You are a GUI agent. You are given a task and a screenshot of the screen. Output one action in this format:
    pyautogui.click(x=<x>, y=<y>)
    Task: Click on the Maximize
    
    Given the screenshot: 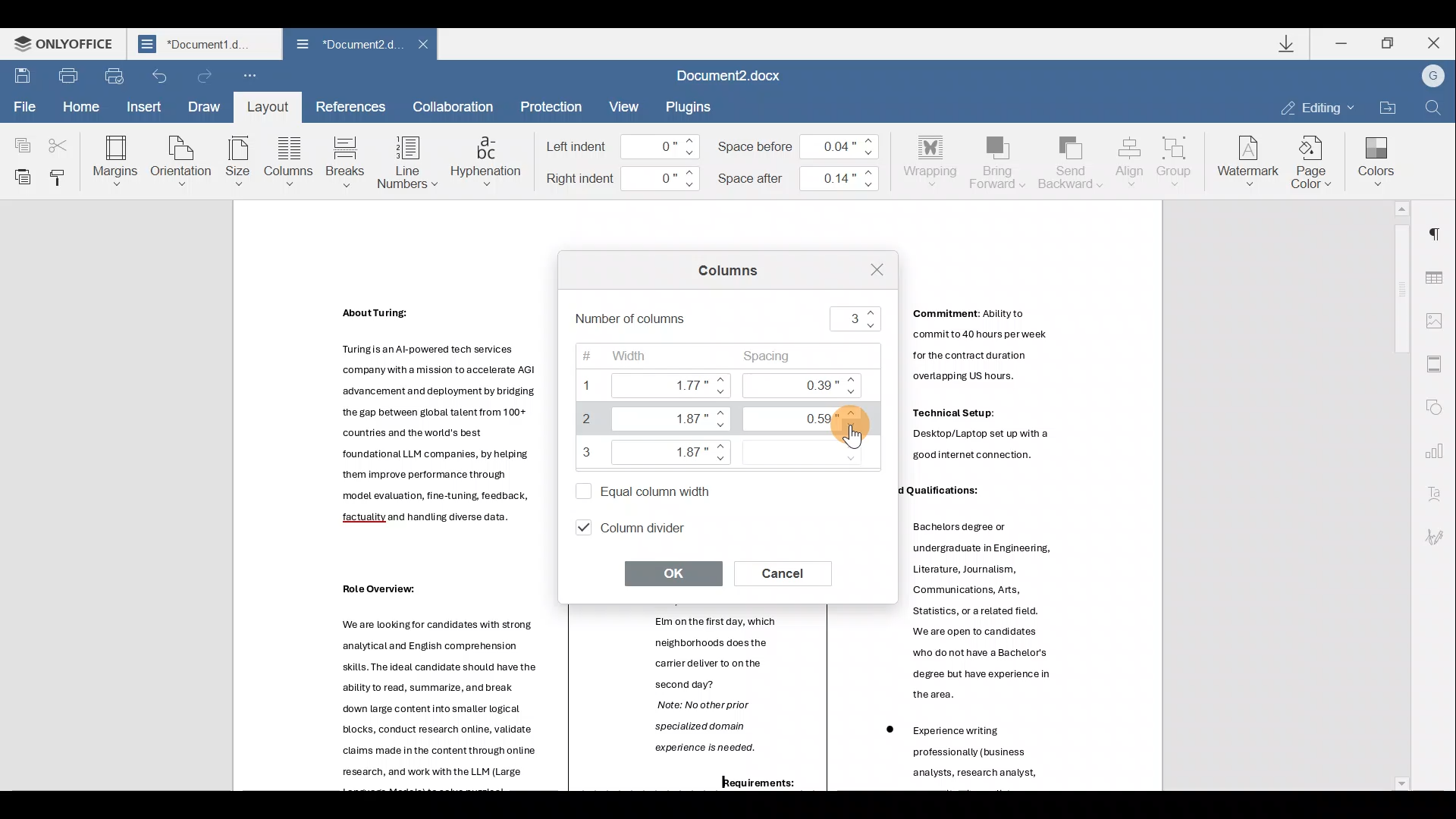 What is the action you would take?
    pyautogui.click(x=1389, y=42)
    